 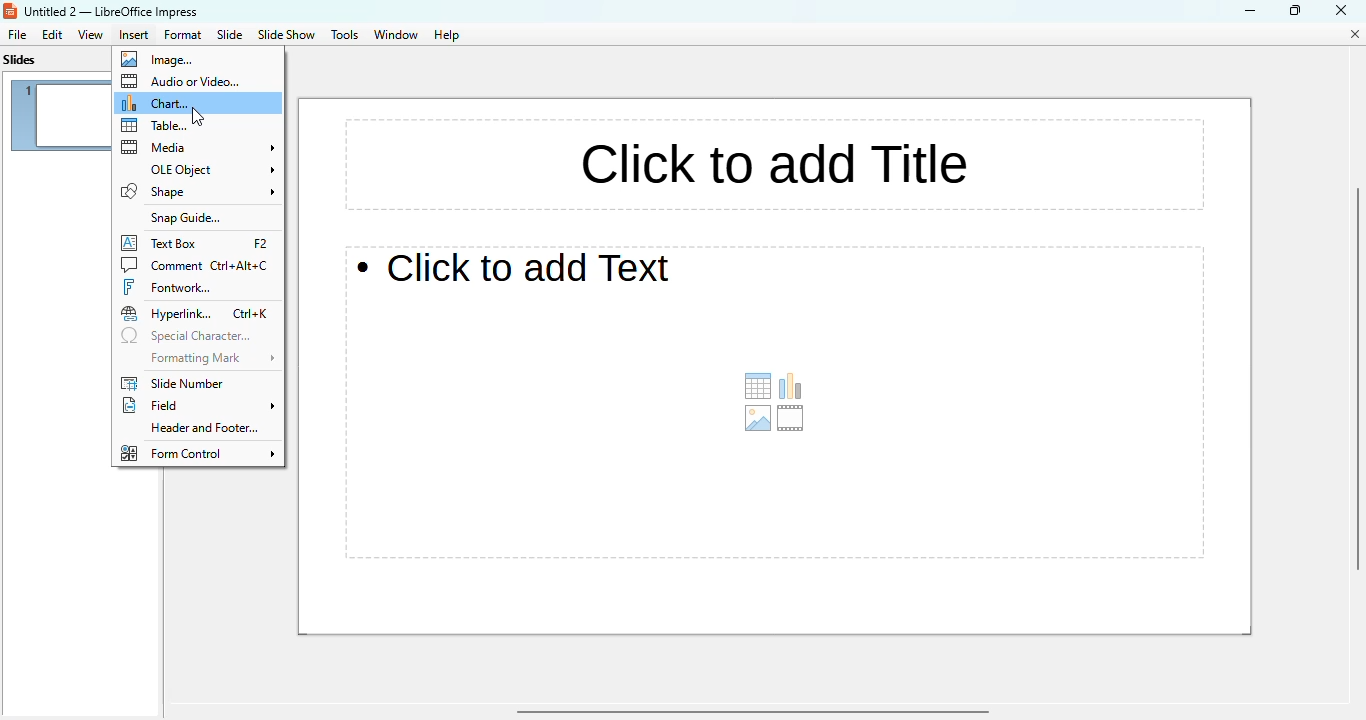 I want to click on fontwork, so click(x=168, y=287).